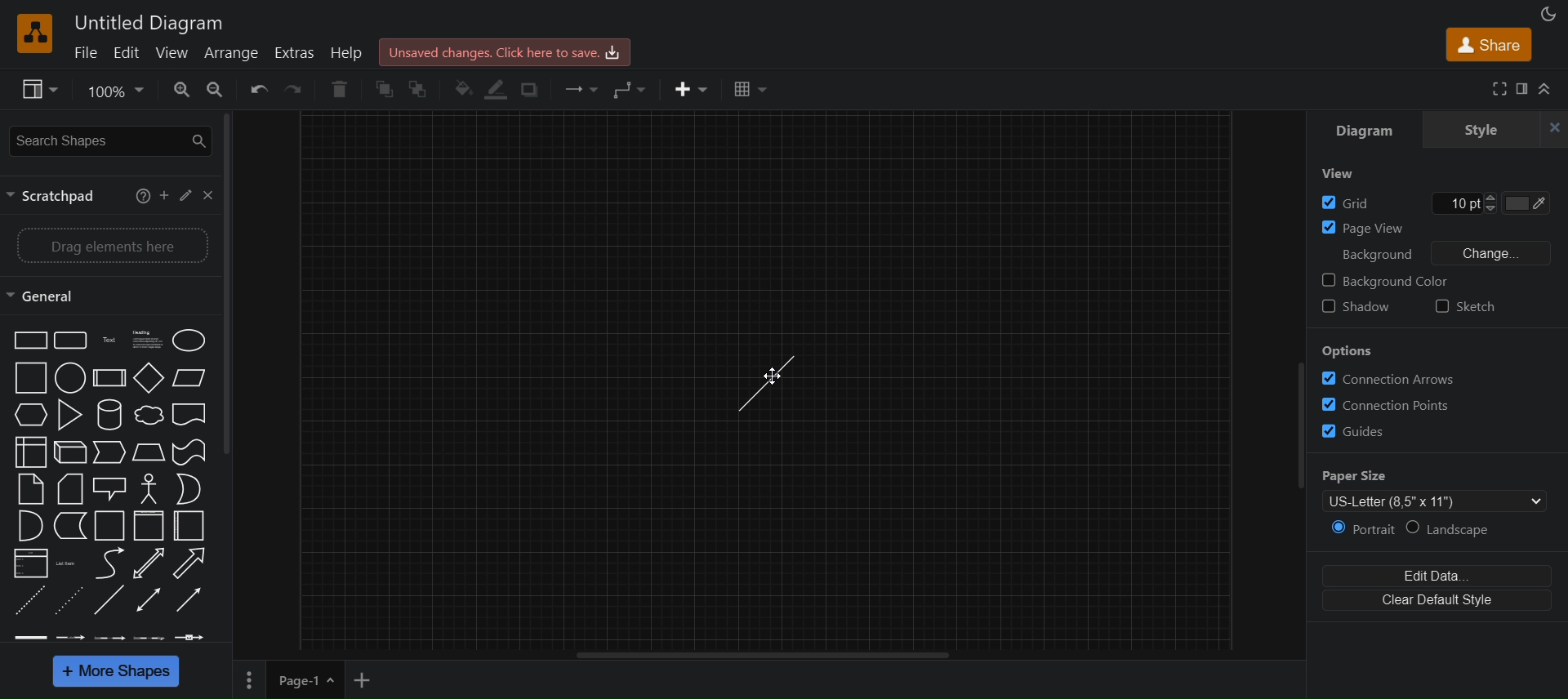 Image resolution: width=1568 pixels, height=699 pixels. Describe the element at coordinates (1548, 90) in the screenshot. I see `collapse/expand` at that location.